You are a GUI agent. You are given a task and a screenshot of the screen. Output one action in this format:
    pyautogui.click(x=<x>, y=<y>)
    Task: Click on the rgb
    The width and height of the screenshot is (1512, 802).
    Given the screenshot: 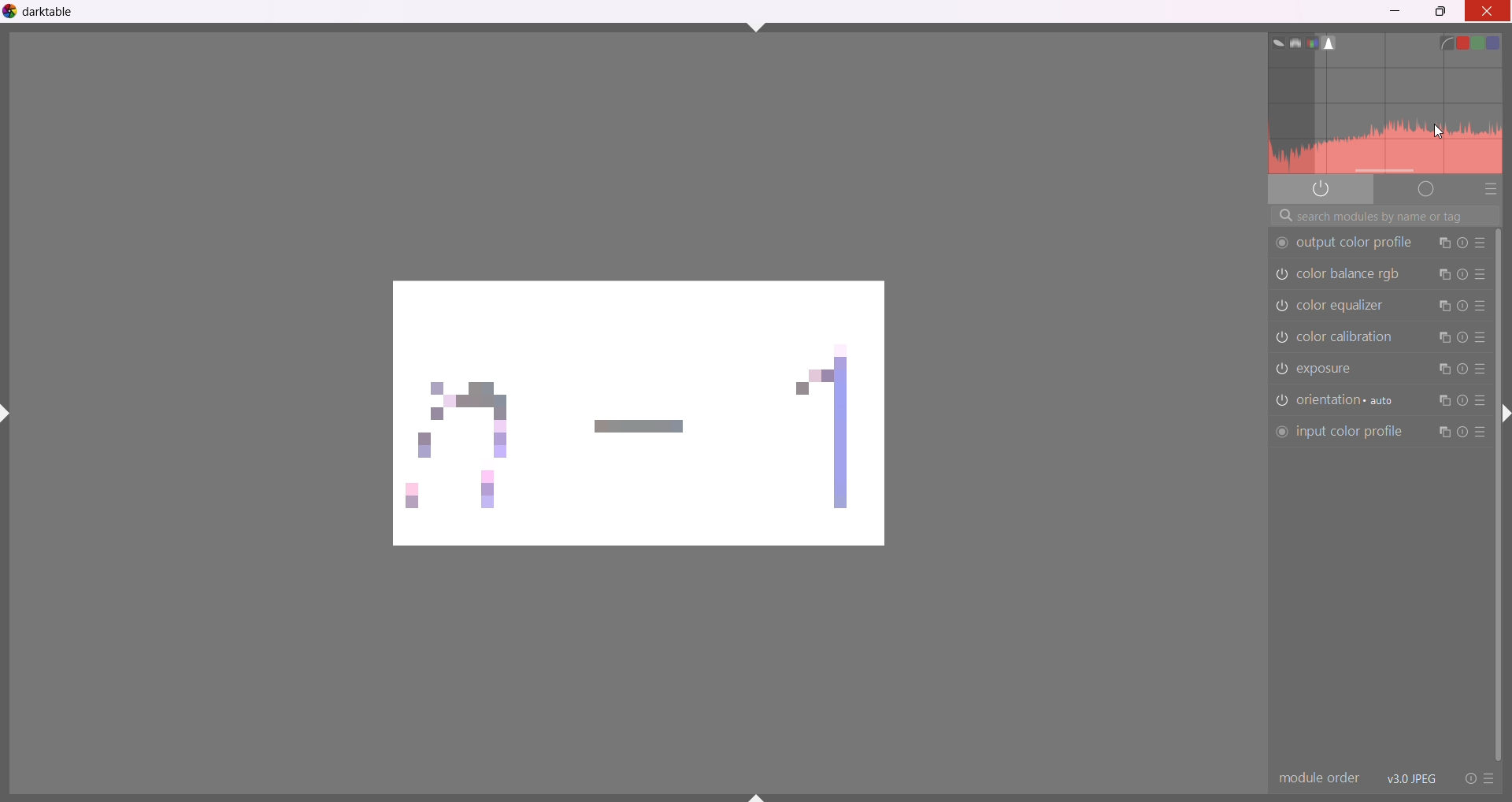 What is the action you would take?
    pyautogui.click(x=1312, y=43)
    